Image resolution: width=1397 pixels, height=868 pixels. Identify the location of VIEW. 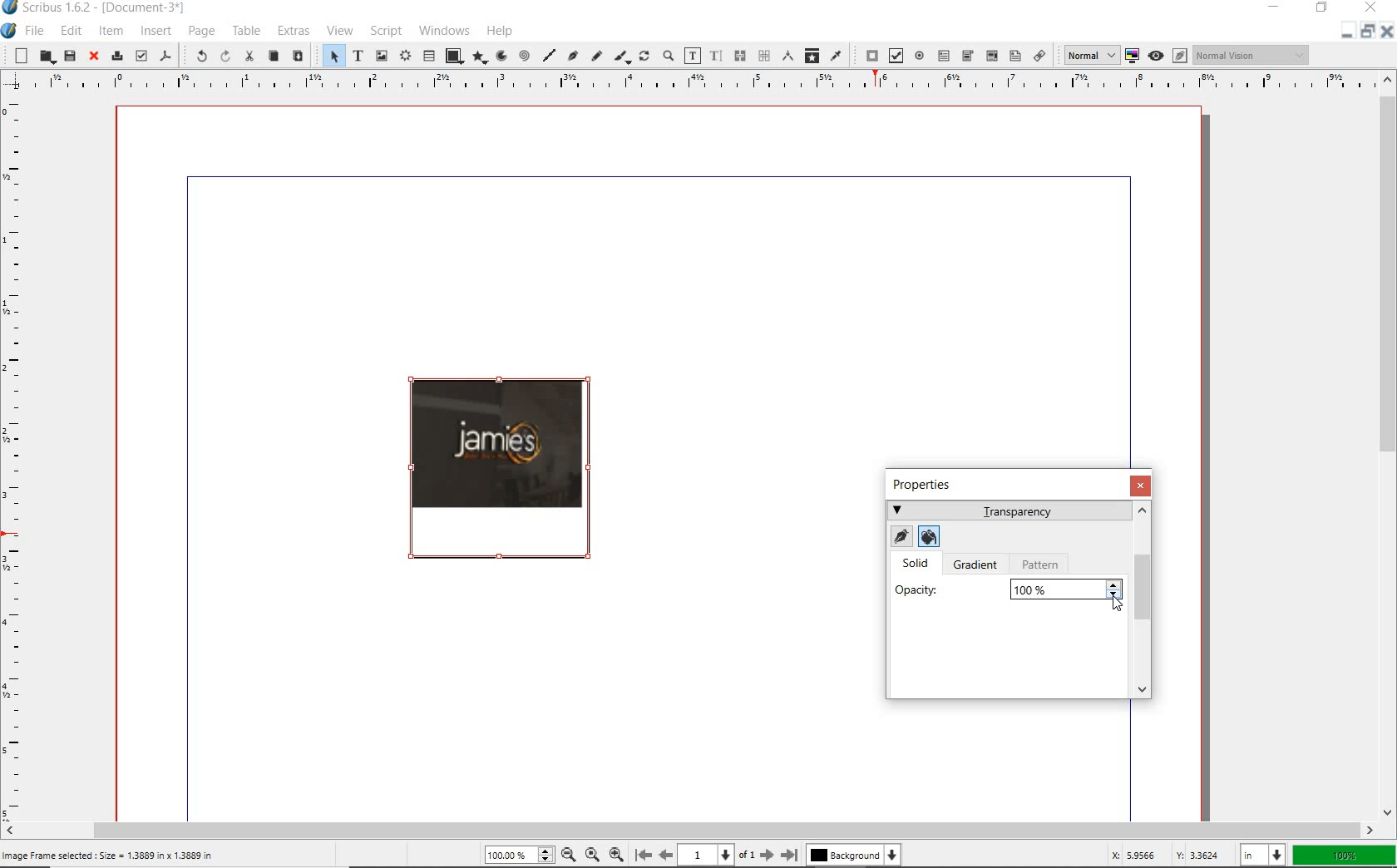
(341, 29).